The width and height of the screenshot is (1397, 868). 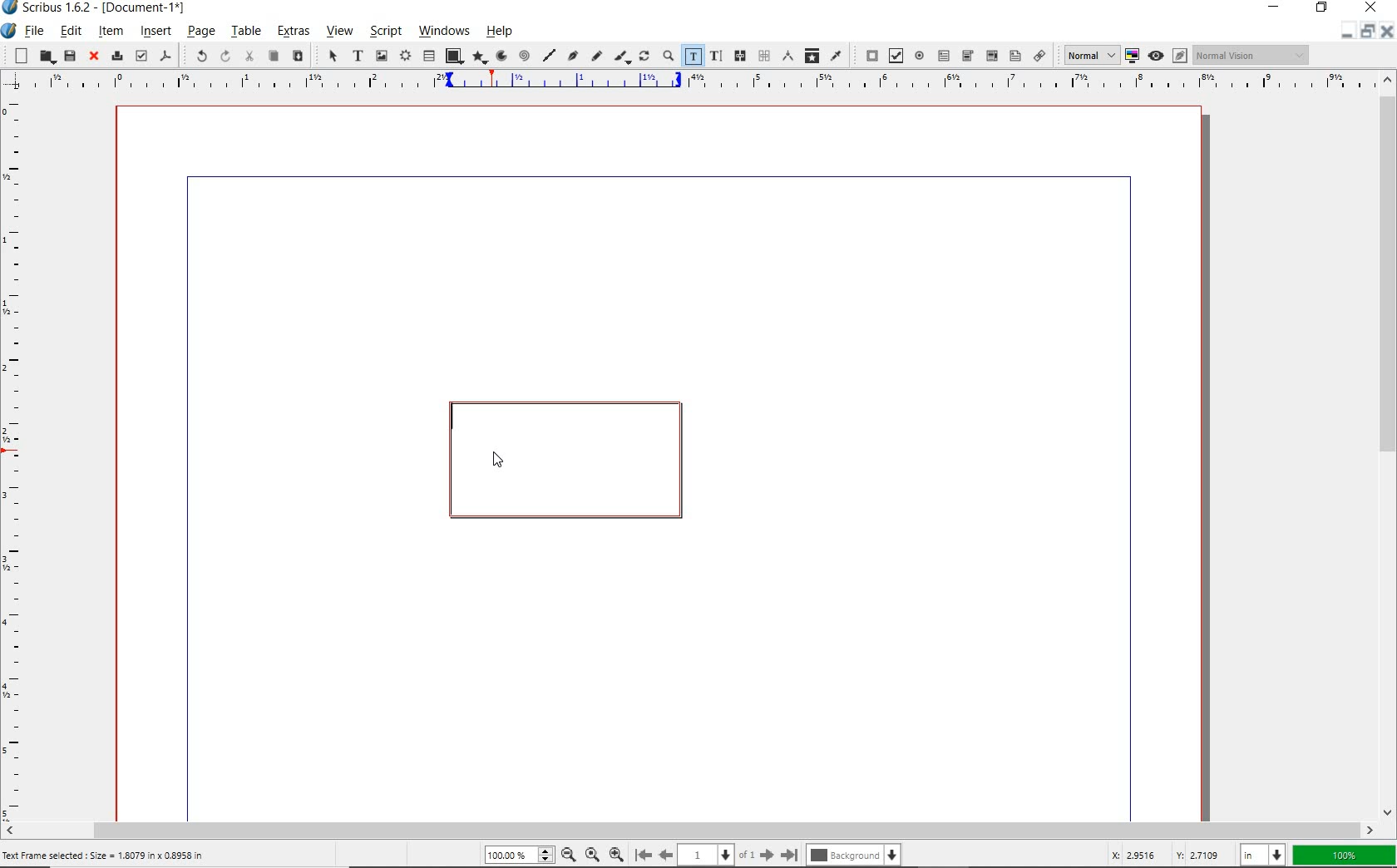 I want to click on pdf combo box, so click(x=967, y=57).